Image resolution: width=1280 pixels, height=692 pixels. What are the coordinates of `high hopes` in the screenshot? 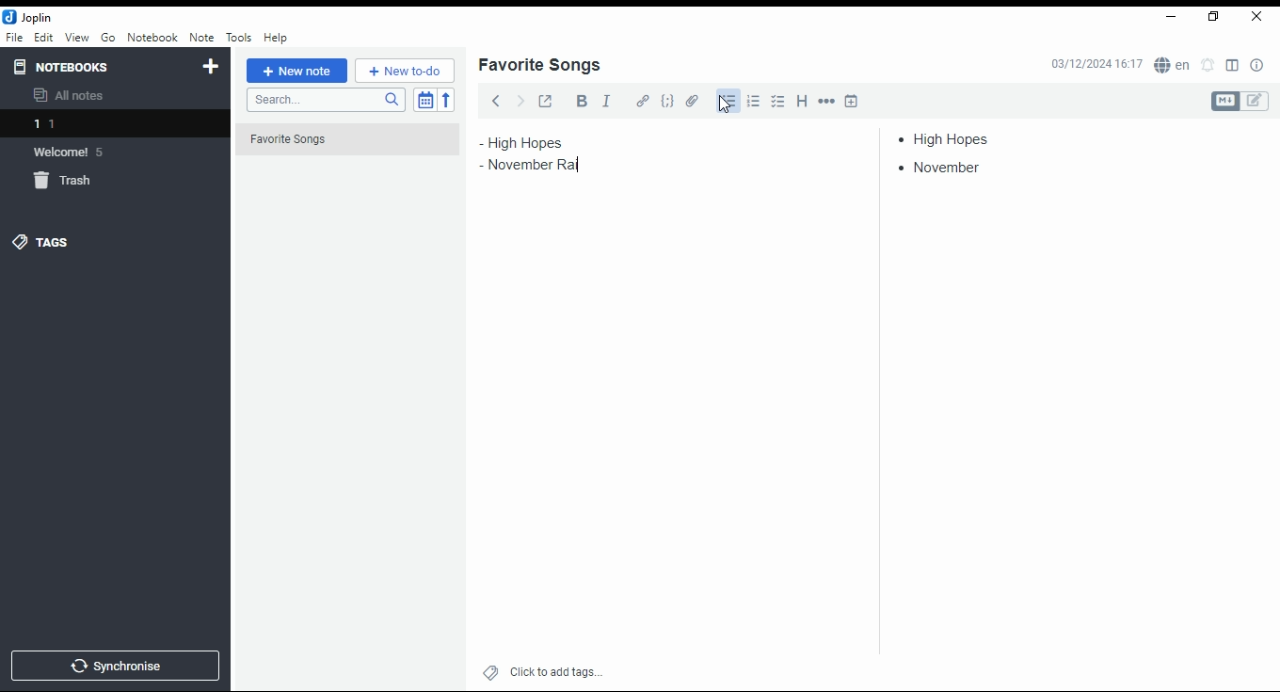 It's located at (953, 139).